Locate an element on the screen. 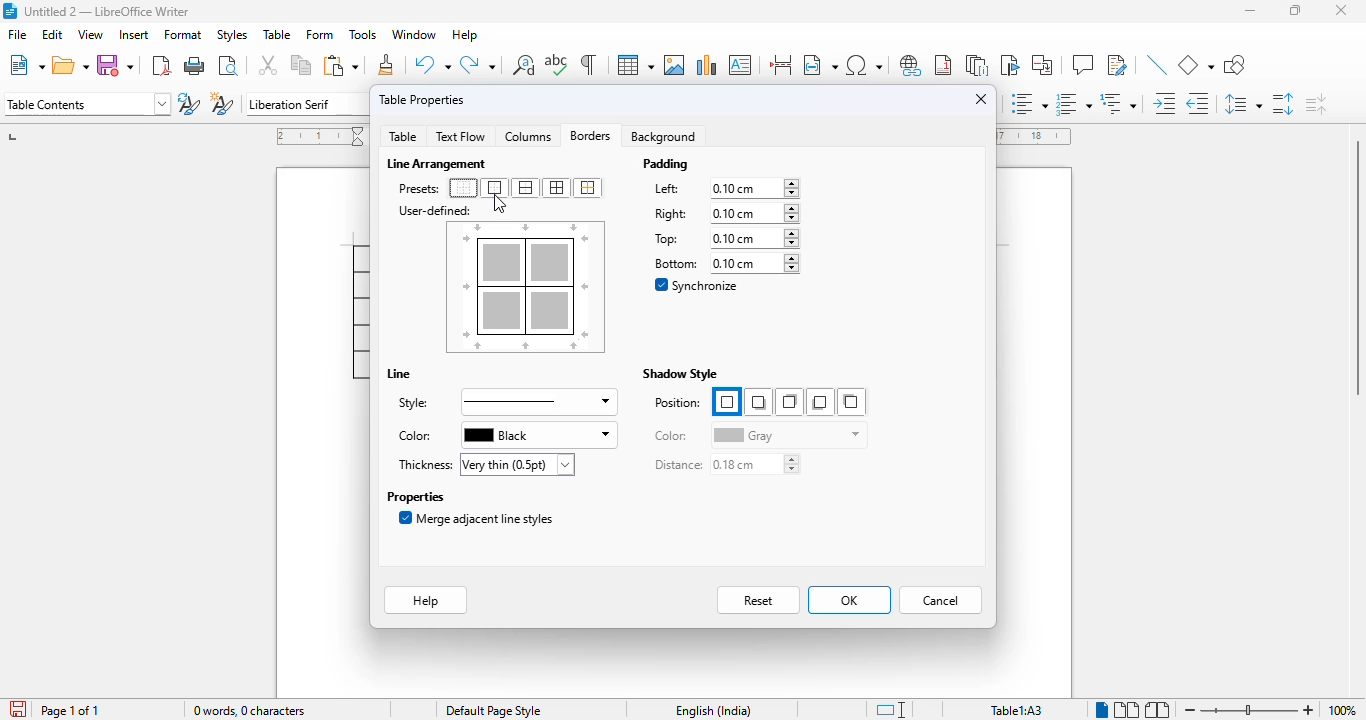 The width and height of the screenshot is (1366, 720). insert field is located at coordinates (820, 64).